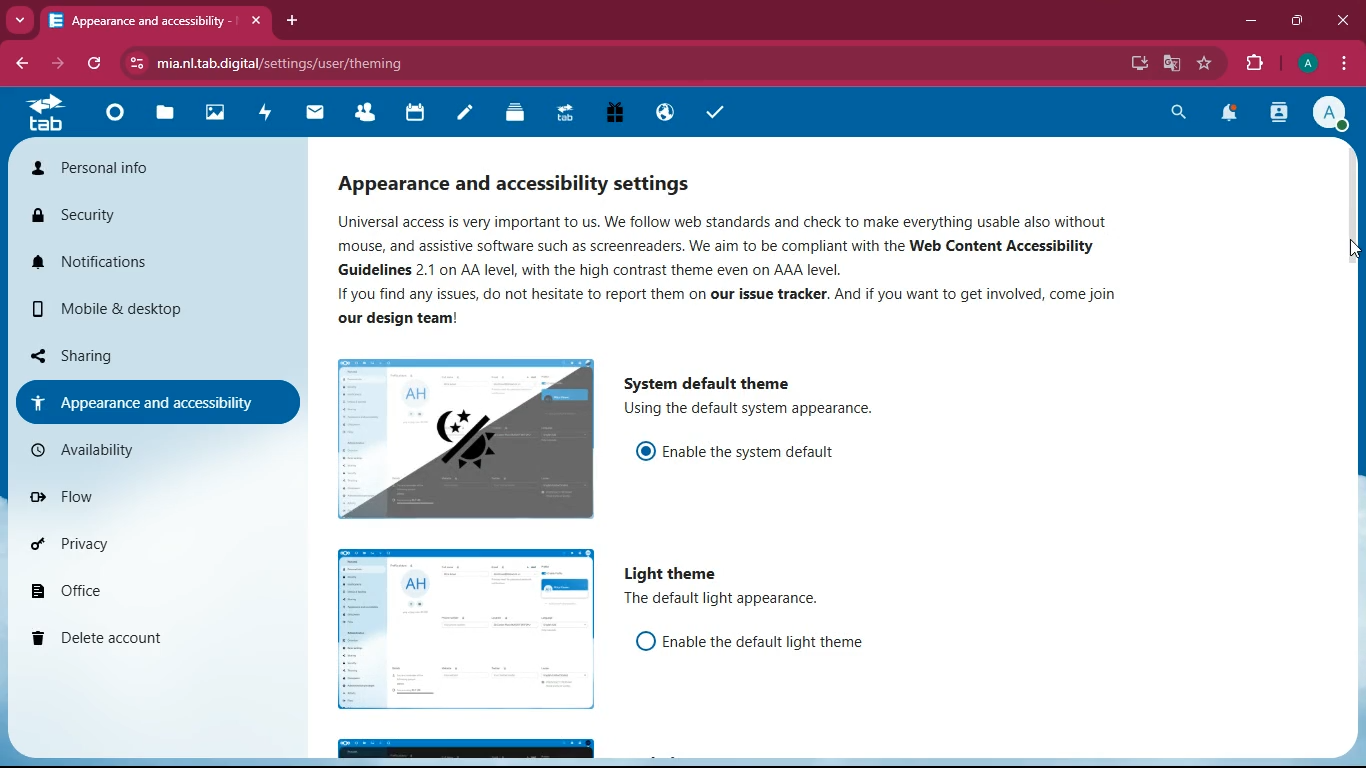  Describe the element at coordinates (129, 168) in the screenshot. I see `personal info` at that location.